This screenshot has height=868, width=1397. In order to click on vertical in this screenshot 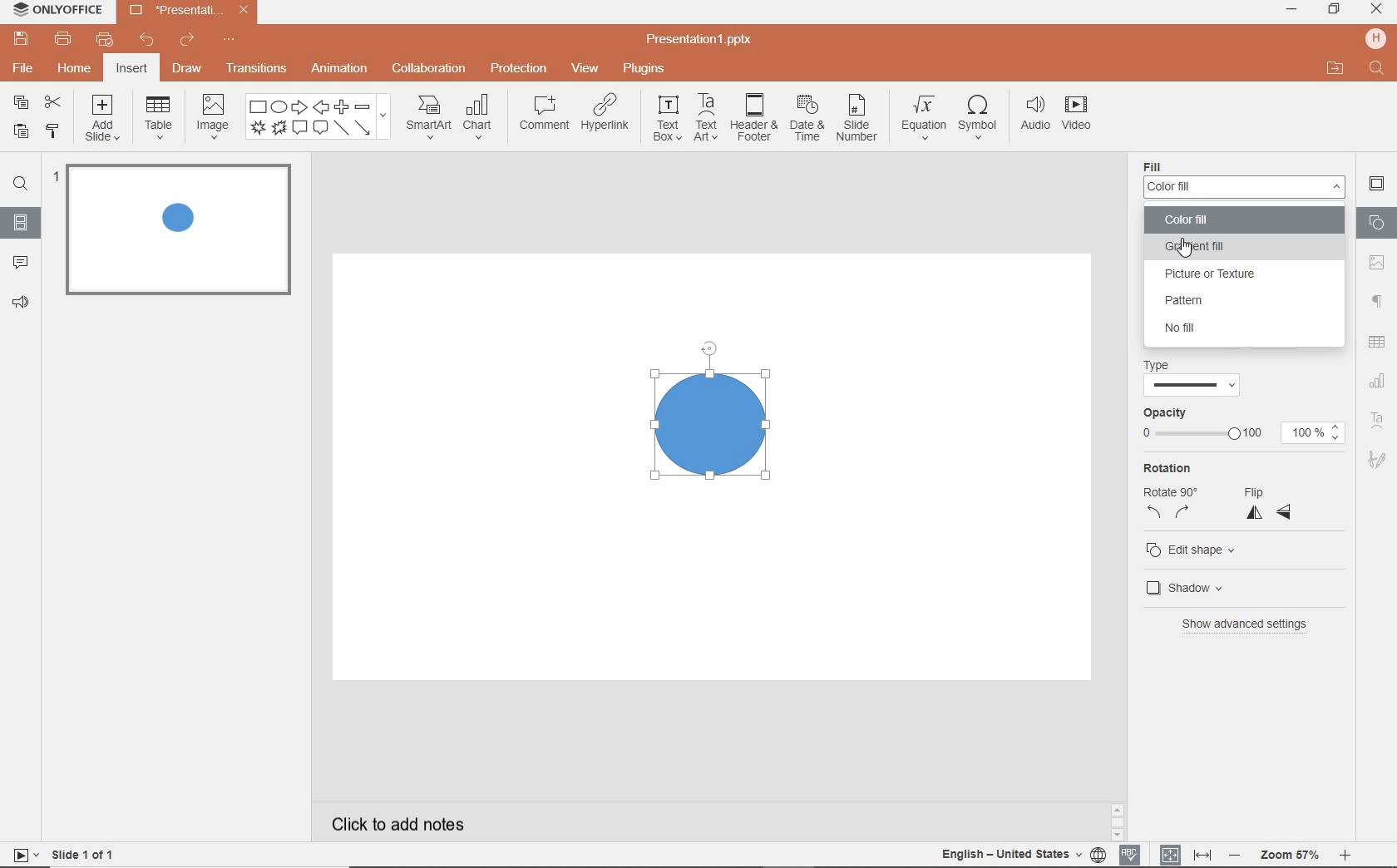, I will do `click(1257, 514)`.